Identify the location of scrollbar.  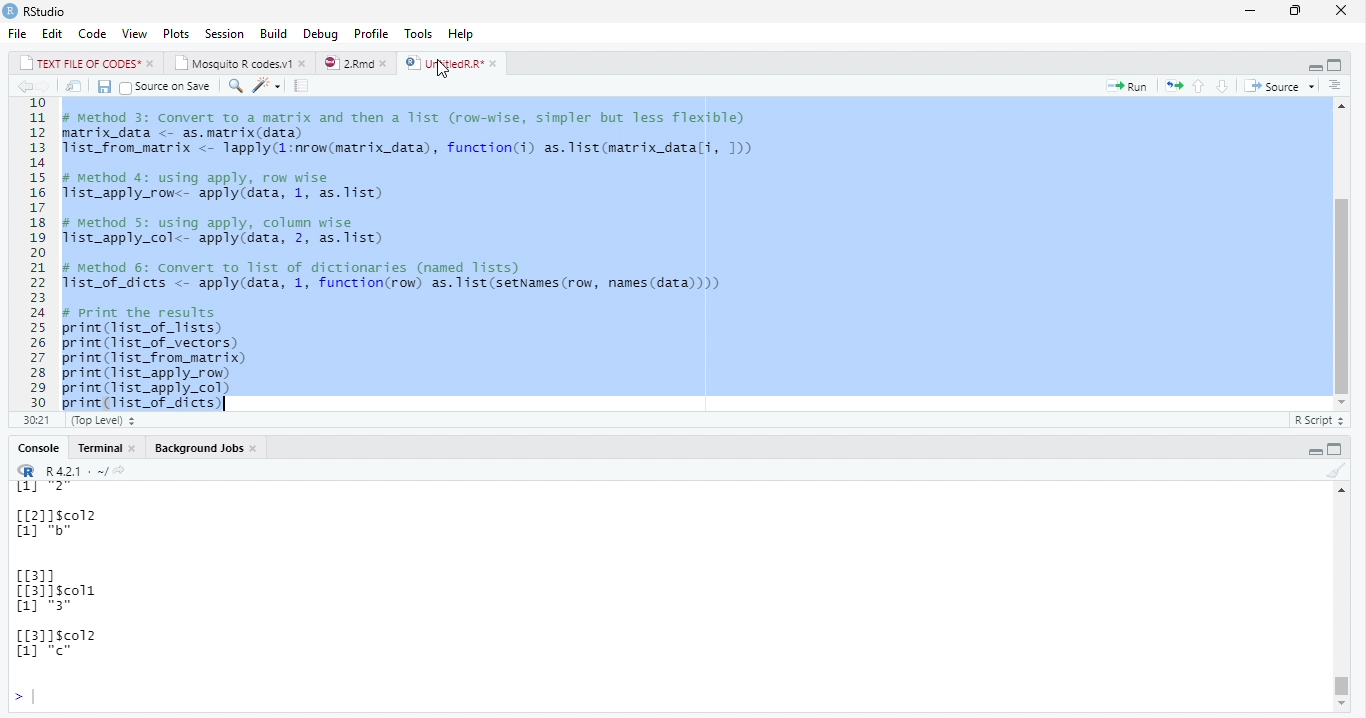
(1341, 254).